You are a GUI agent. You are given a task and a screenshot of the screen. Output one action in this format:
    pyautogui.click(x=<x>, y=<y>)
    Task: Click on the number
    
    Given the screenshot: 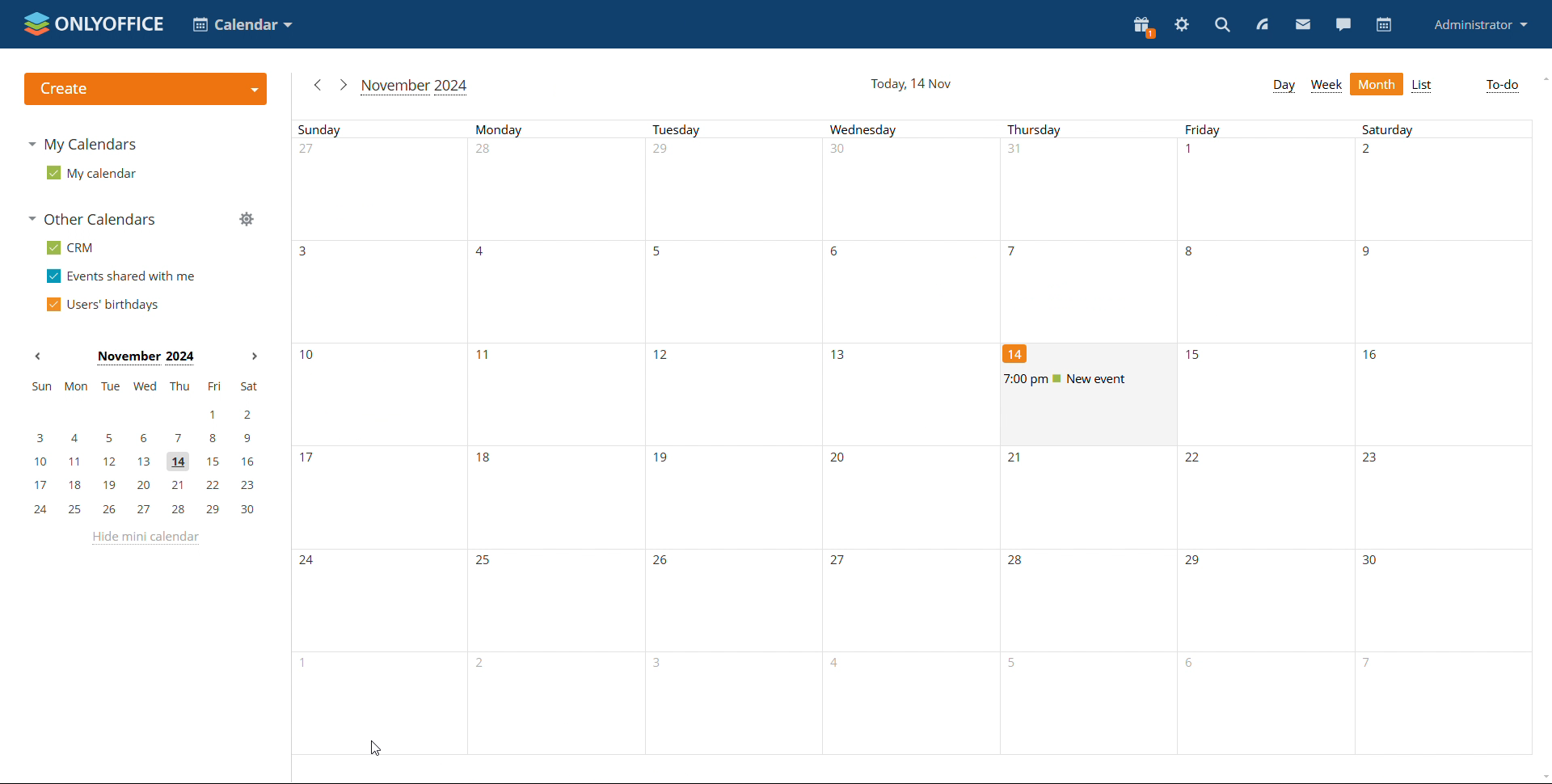 What is the action you would take?
    pyautogui.click(x=845, y=154)
    